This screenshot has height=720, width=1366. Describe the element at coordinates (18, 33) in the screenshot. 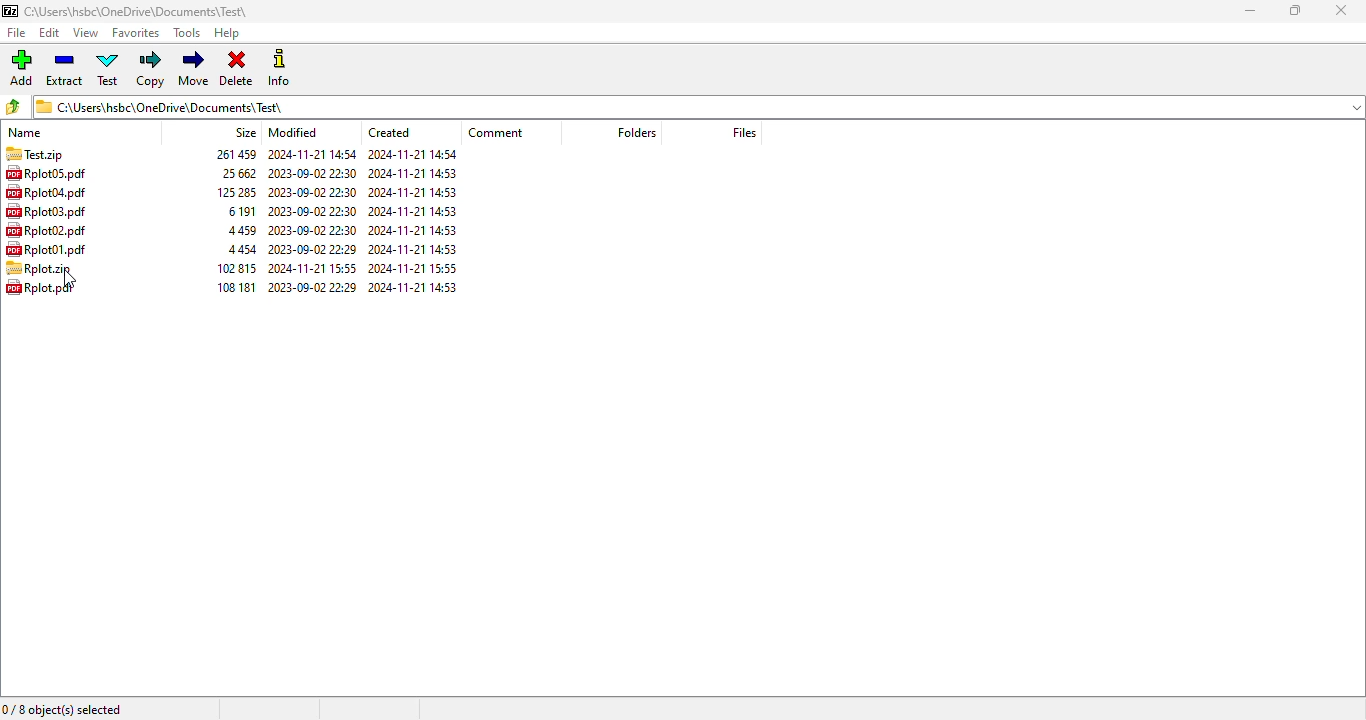

I see `file` at that location.